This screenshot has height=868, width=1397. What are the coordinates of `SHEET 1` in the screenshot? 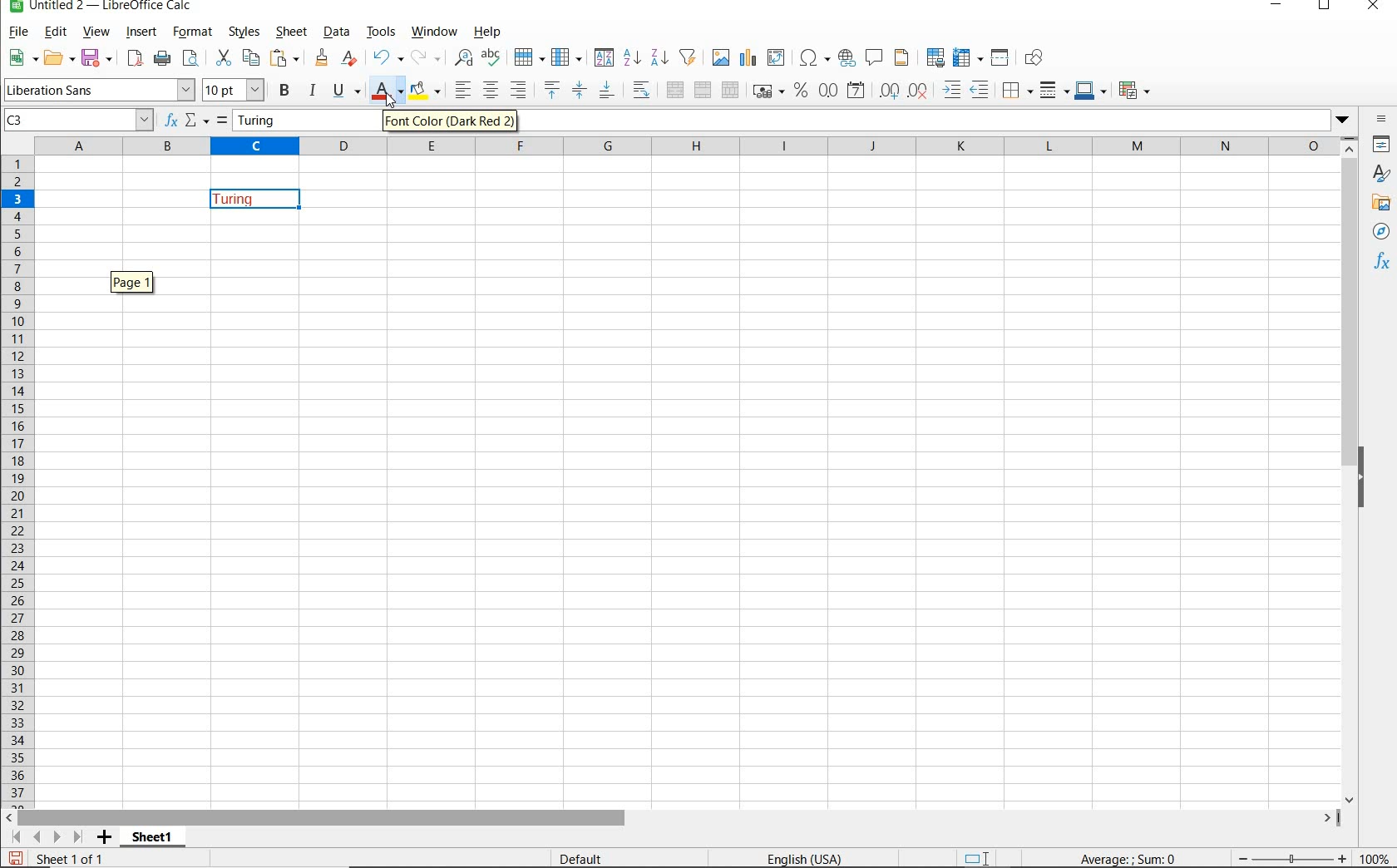 It's located at (155, 838).